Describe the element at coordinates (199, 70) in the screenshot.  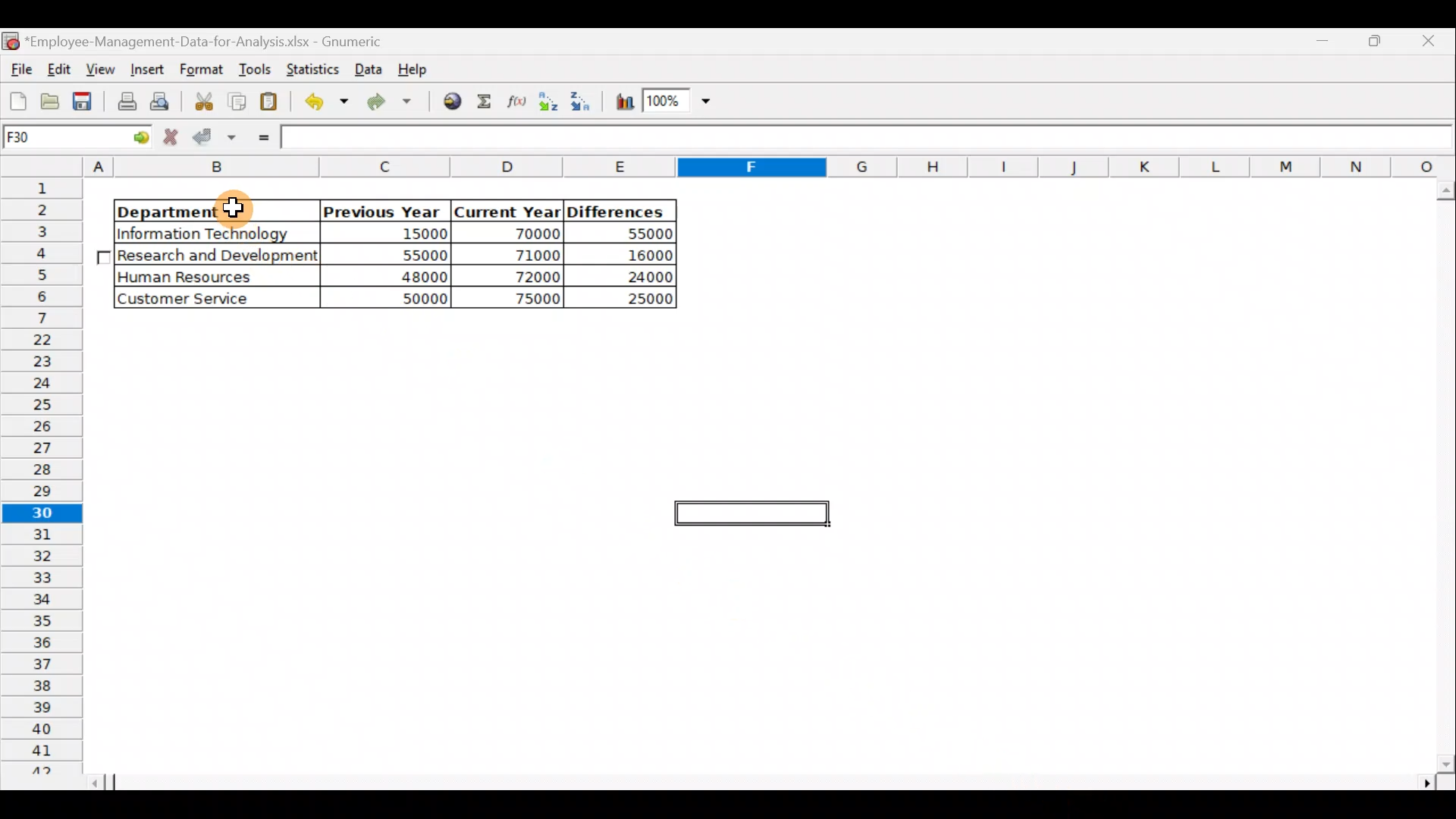
I see `Format` at that location.